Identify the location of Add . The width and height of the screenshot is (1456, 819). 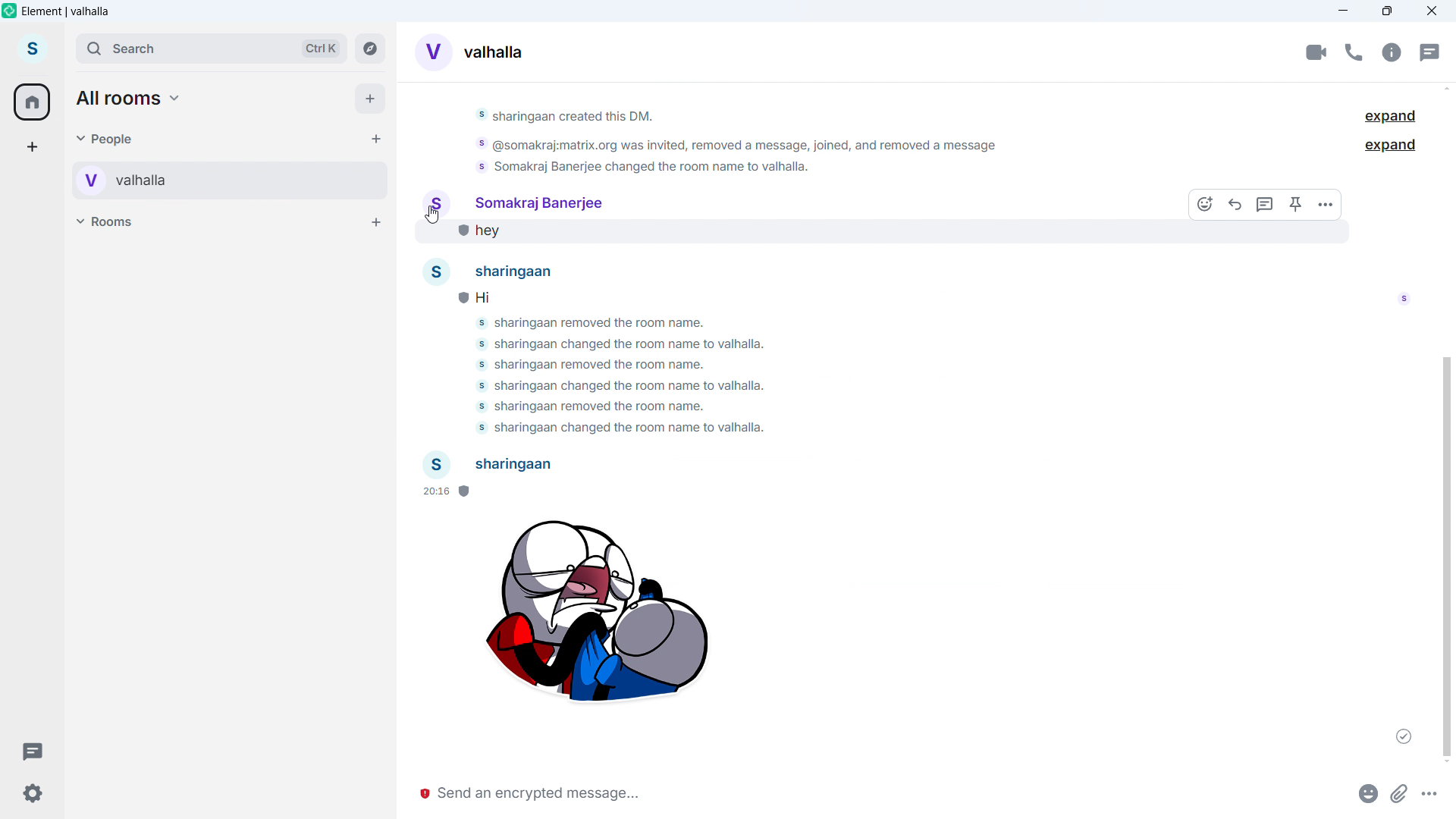
(371, 99).